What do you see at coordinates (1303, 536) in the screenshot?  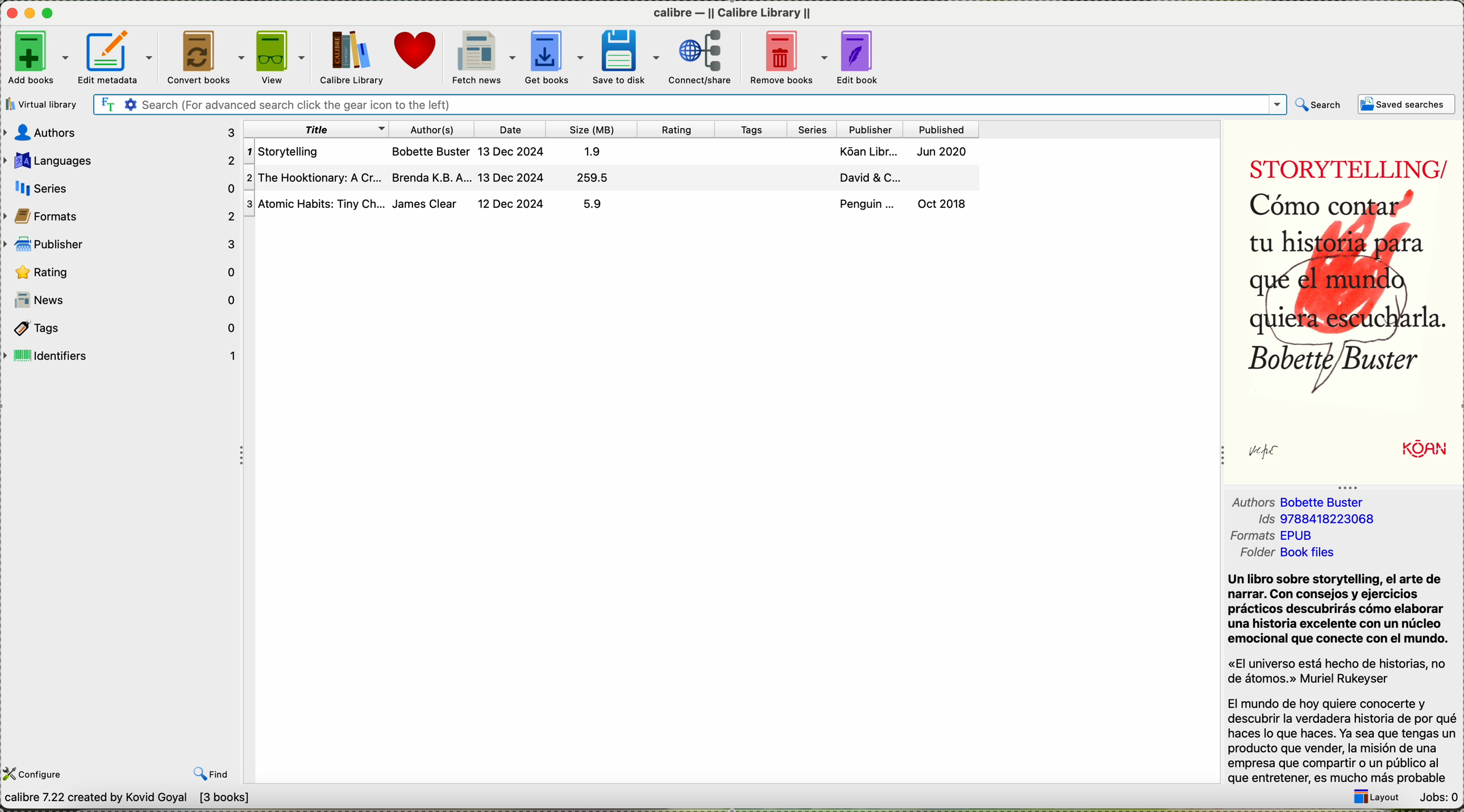 I see `EPUB` at bounding box center [1303, 536].